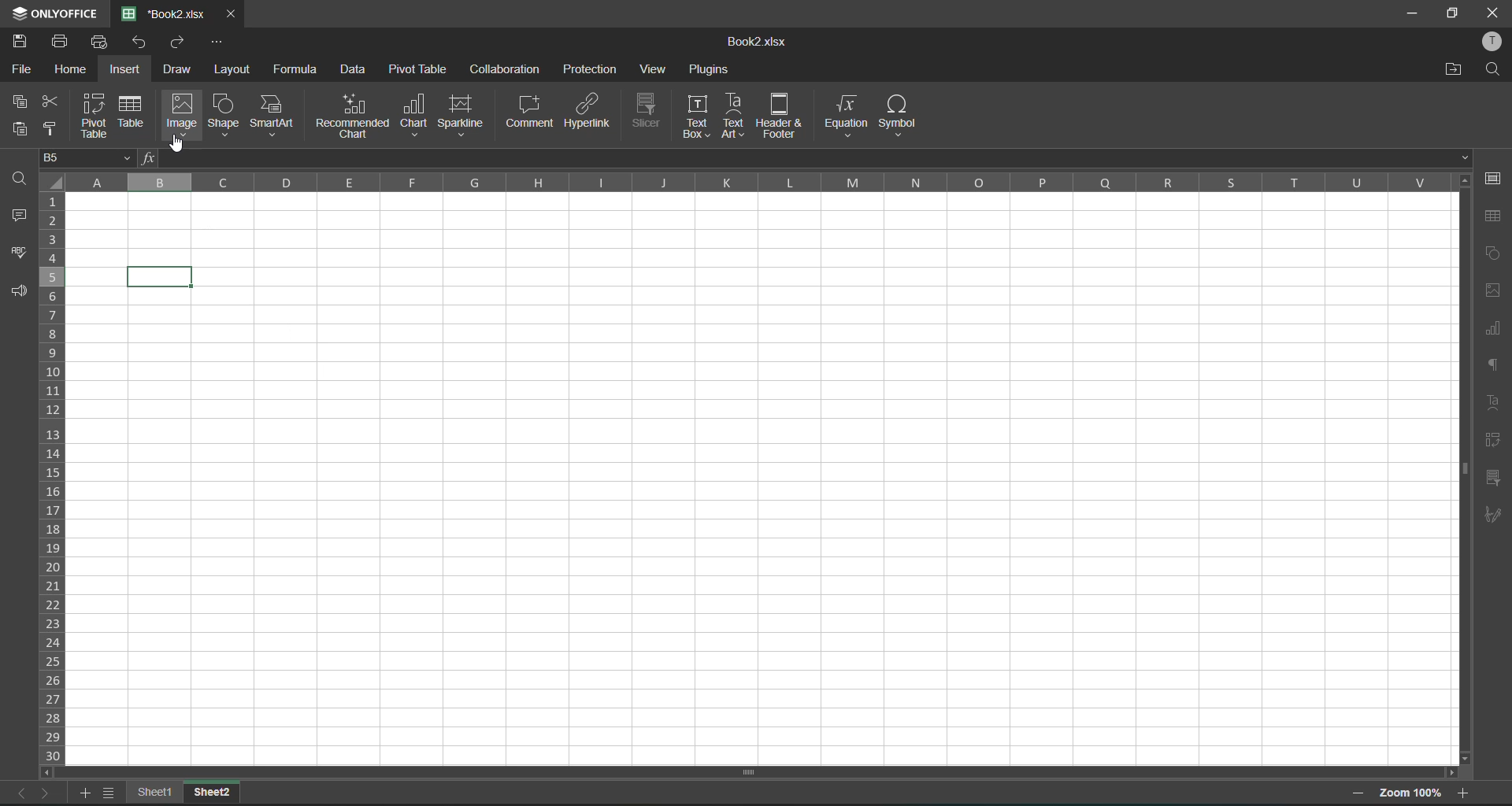  I want to click on formula bar, so click(813, 157).